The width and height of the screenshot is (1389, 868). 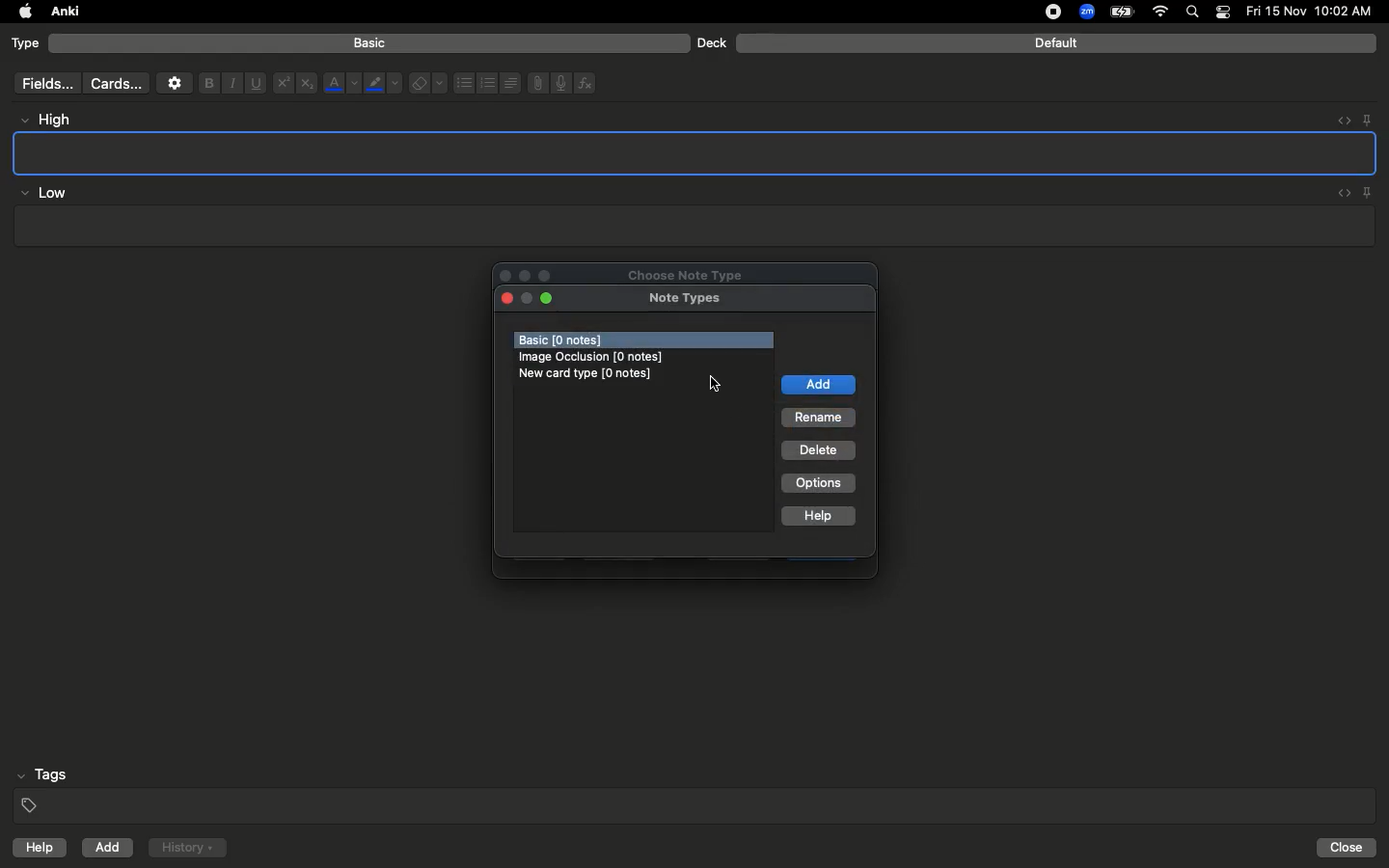 I want to click on Deck, so click(x=711, y=42).